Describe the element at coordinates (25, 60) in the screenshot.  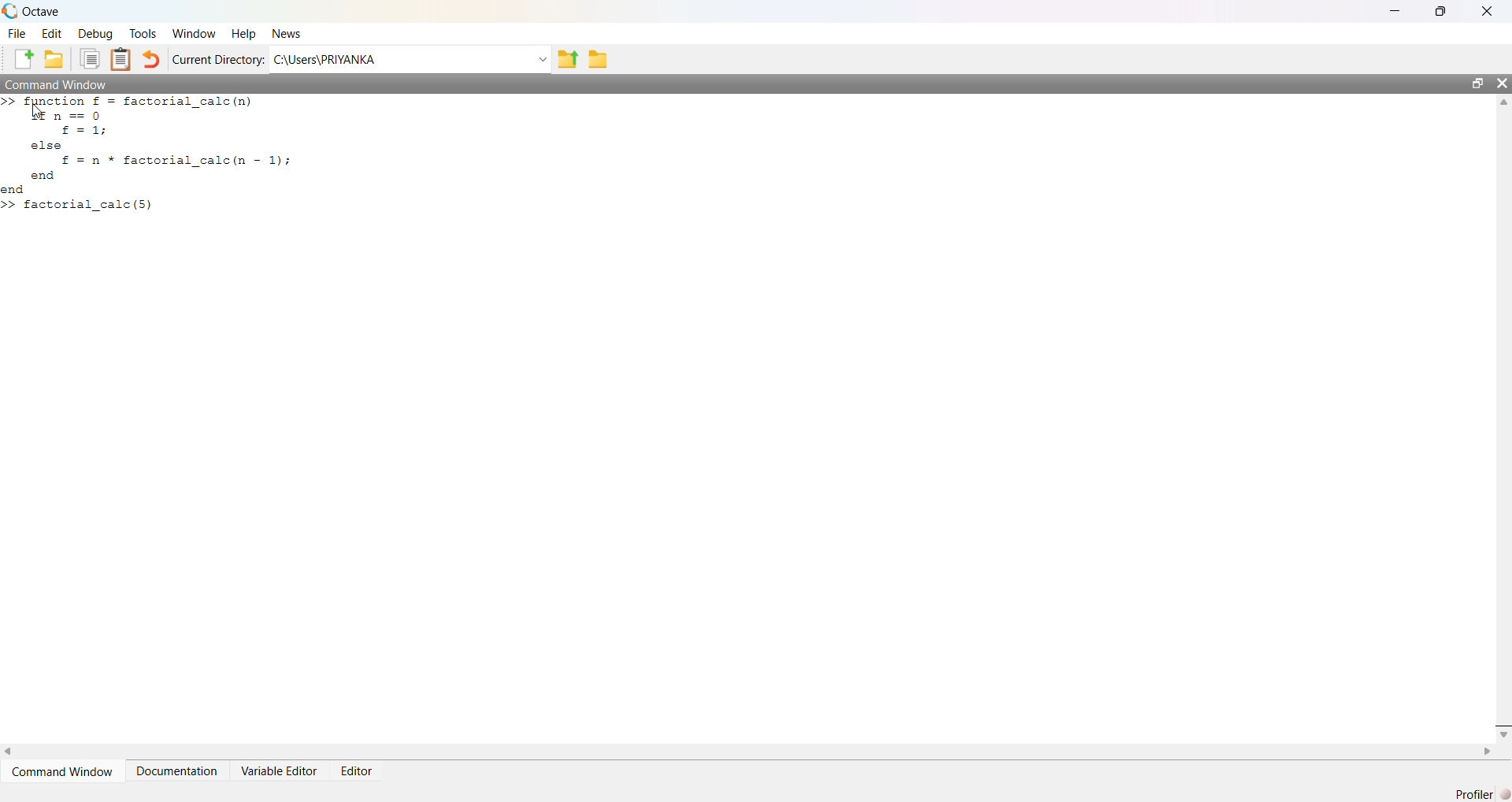
I see `add file` at that location.